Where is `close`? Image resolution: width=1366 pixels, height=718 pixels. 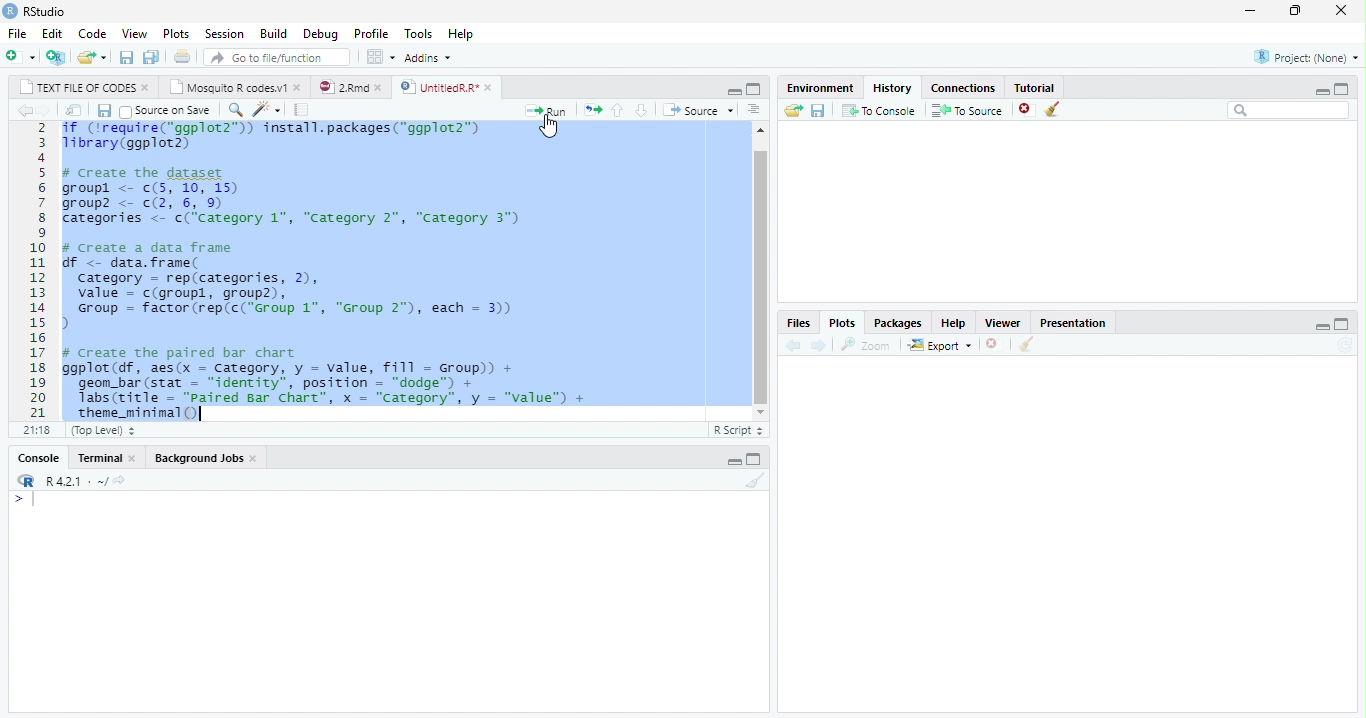
close is located at coordinates (146, 89).